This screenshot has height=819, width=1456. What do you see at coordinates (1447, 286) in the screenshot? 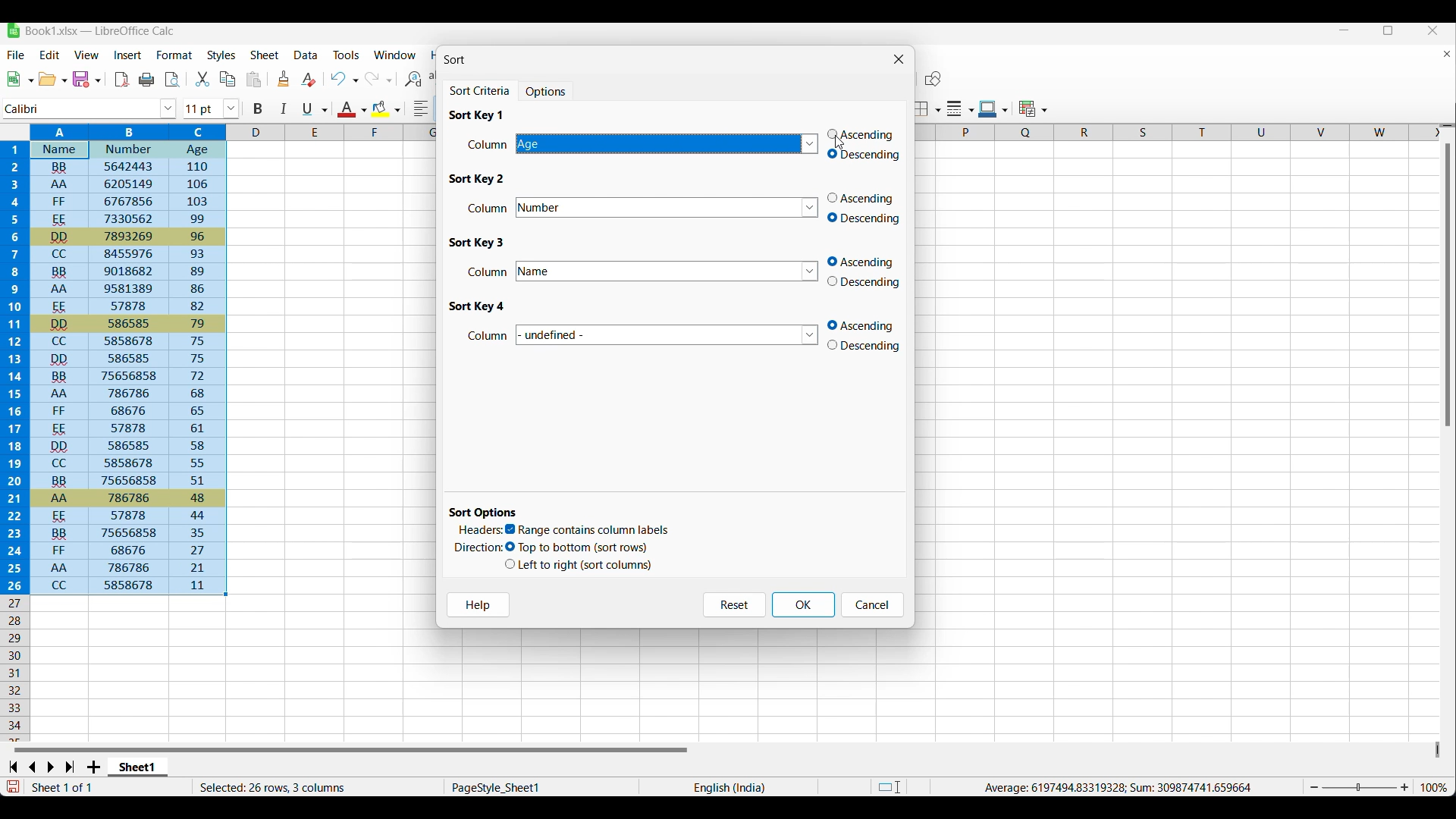
I see `vertical scroll bar` at bounding box center [1447, 286].